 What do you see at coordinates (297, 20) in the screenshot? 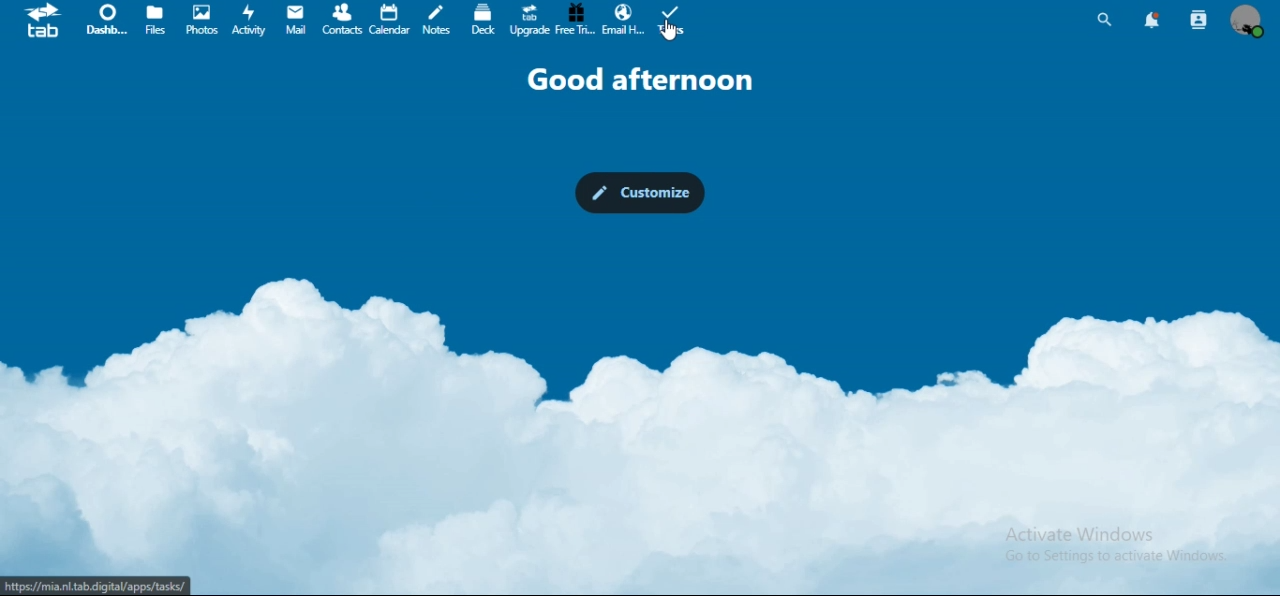
I see `mail` at bounding box center [297, 20].